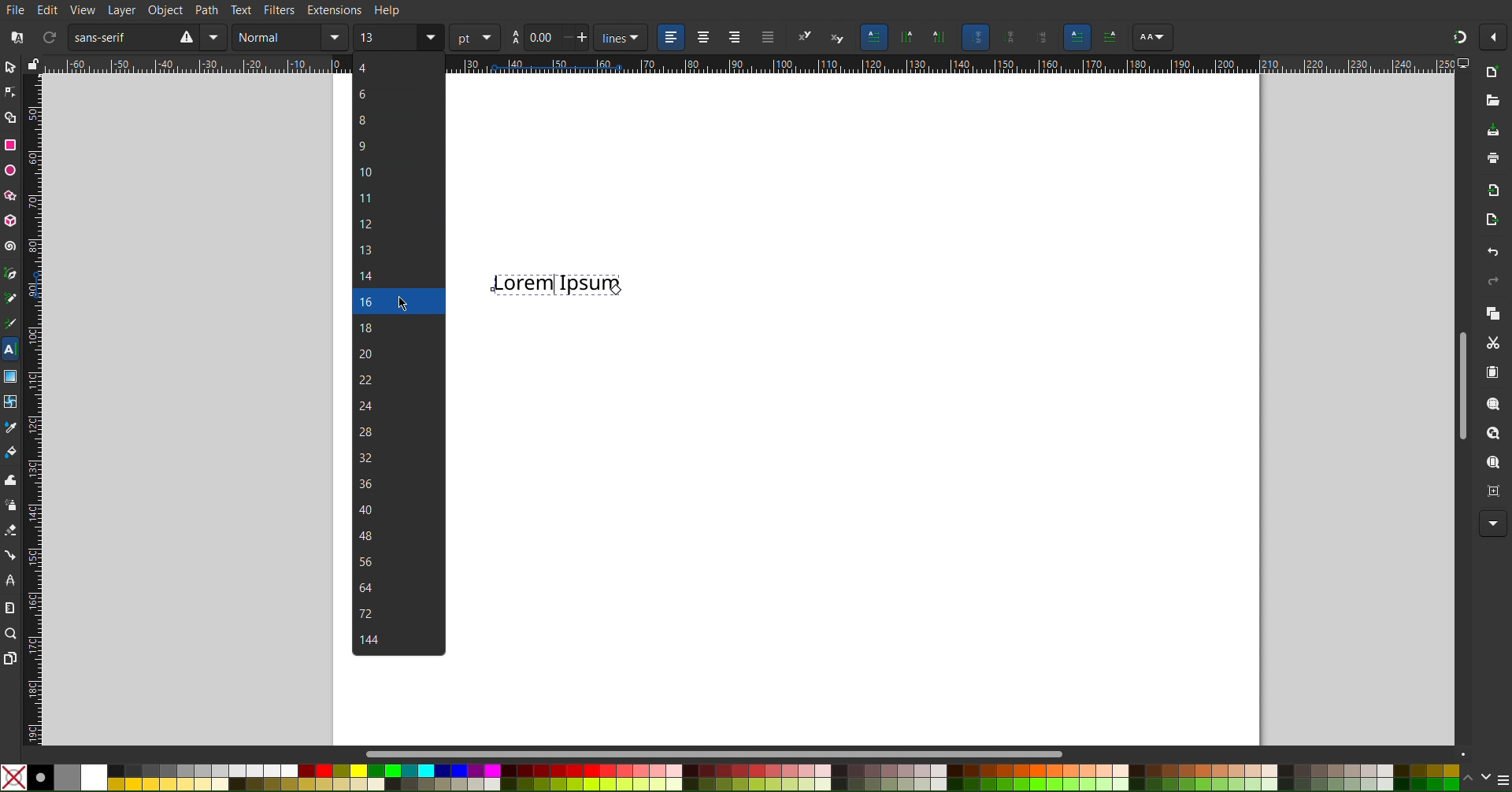 The height and width of the screenshot is (792, 1512). I want to click on Copy, so click(1492, 313).